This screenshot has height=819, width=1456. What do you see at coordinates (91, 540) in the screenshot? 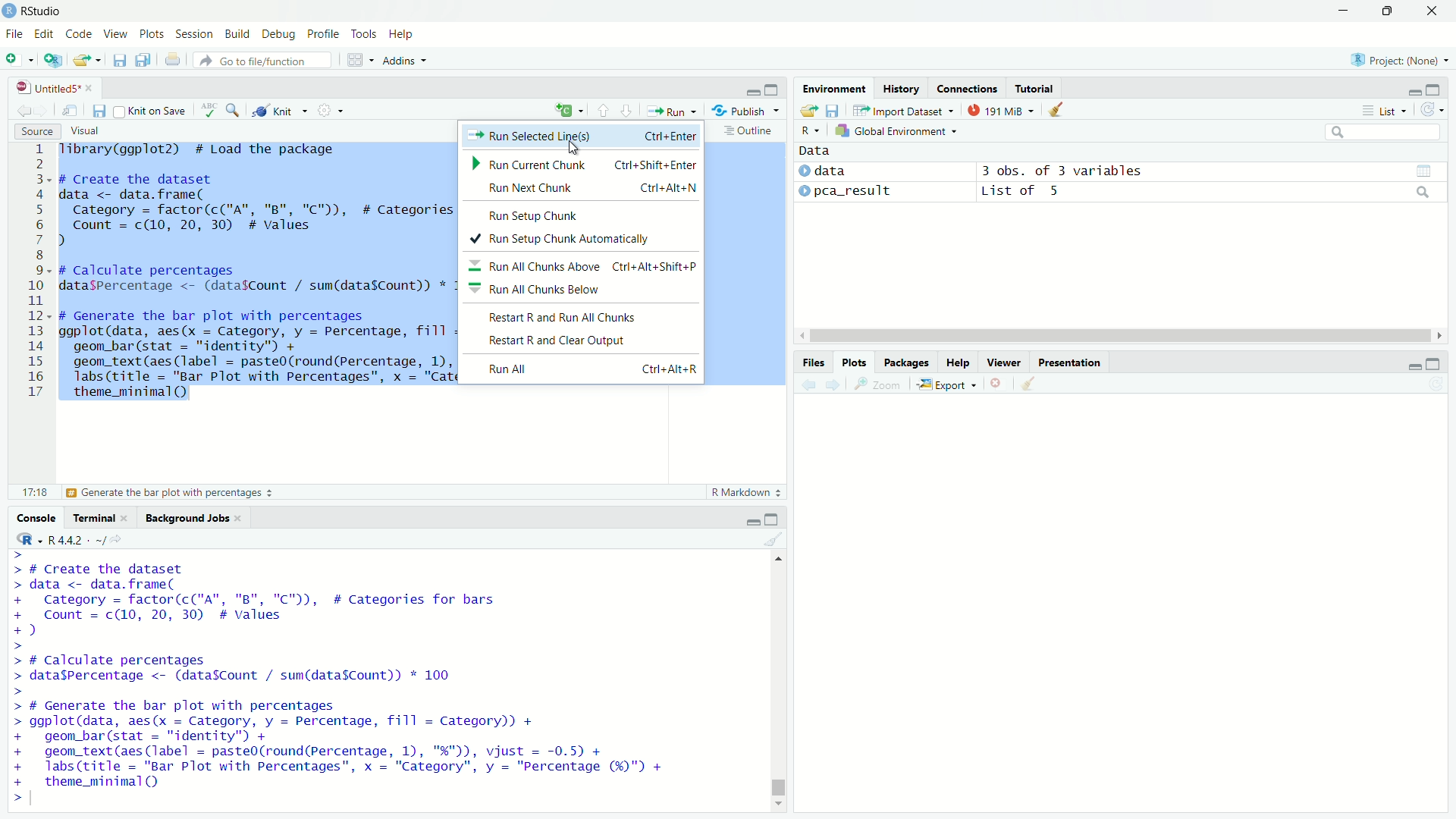
I see `R language version - R4.4.2` at bounding box center [91, 540].